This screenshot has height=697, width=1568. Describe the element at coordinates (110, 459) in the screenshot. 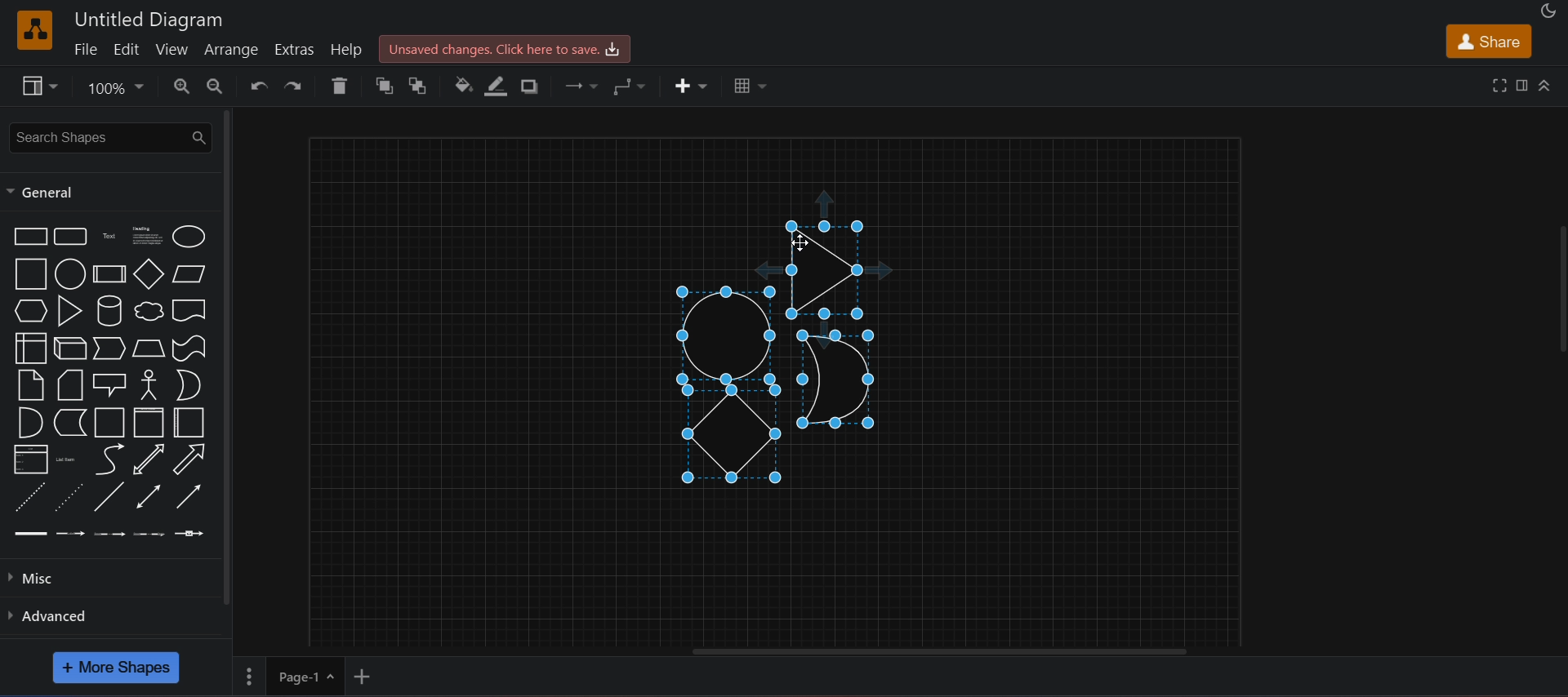

I see `arrow` at that location.